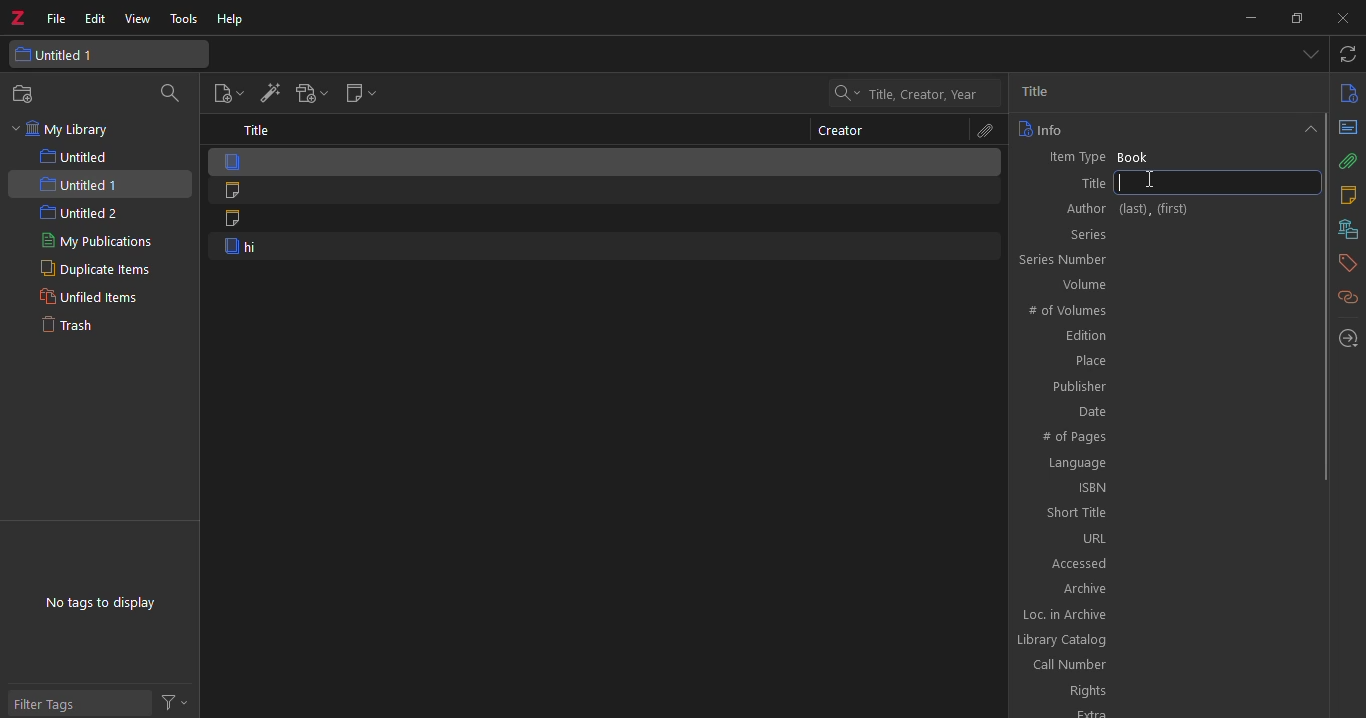 The height and width of the screenshot is (718, 1366). I want to click on trash, so click(75, 327).